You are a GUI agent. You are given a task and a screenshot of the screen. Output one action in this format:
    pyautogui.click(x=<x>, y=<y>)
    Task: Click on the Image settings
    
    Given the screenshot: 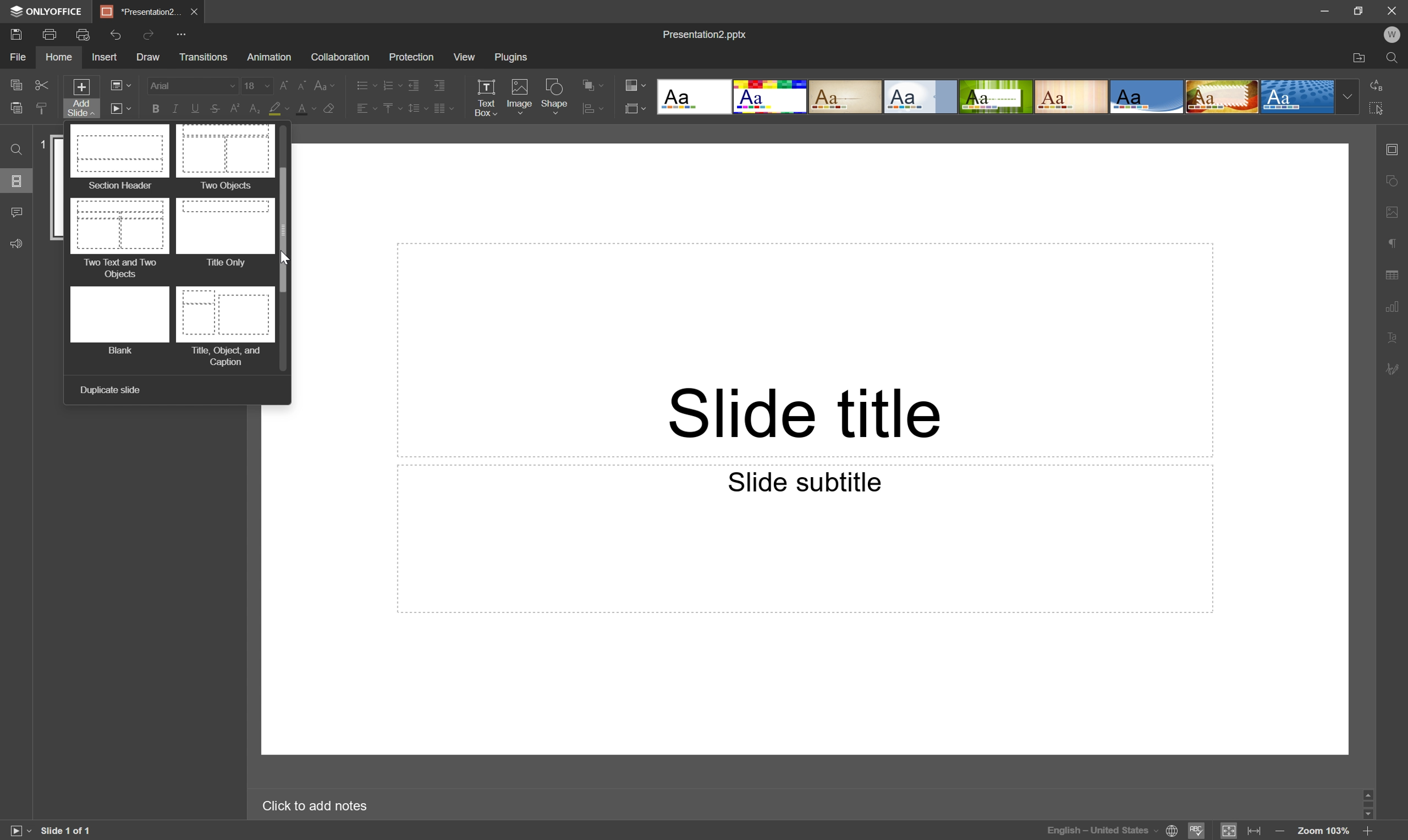 What is the action you would take?
    pyautogui.click(x=1395, y=207)
    